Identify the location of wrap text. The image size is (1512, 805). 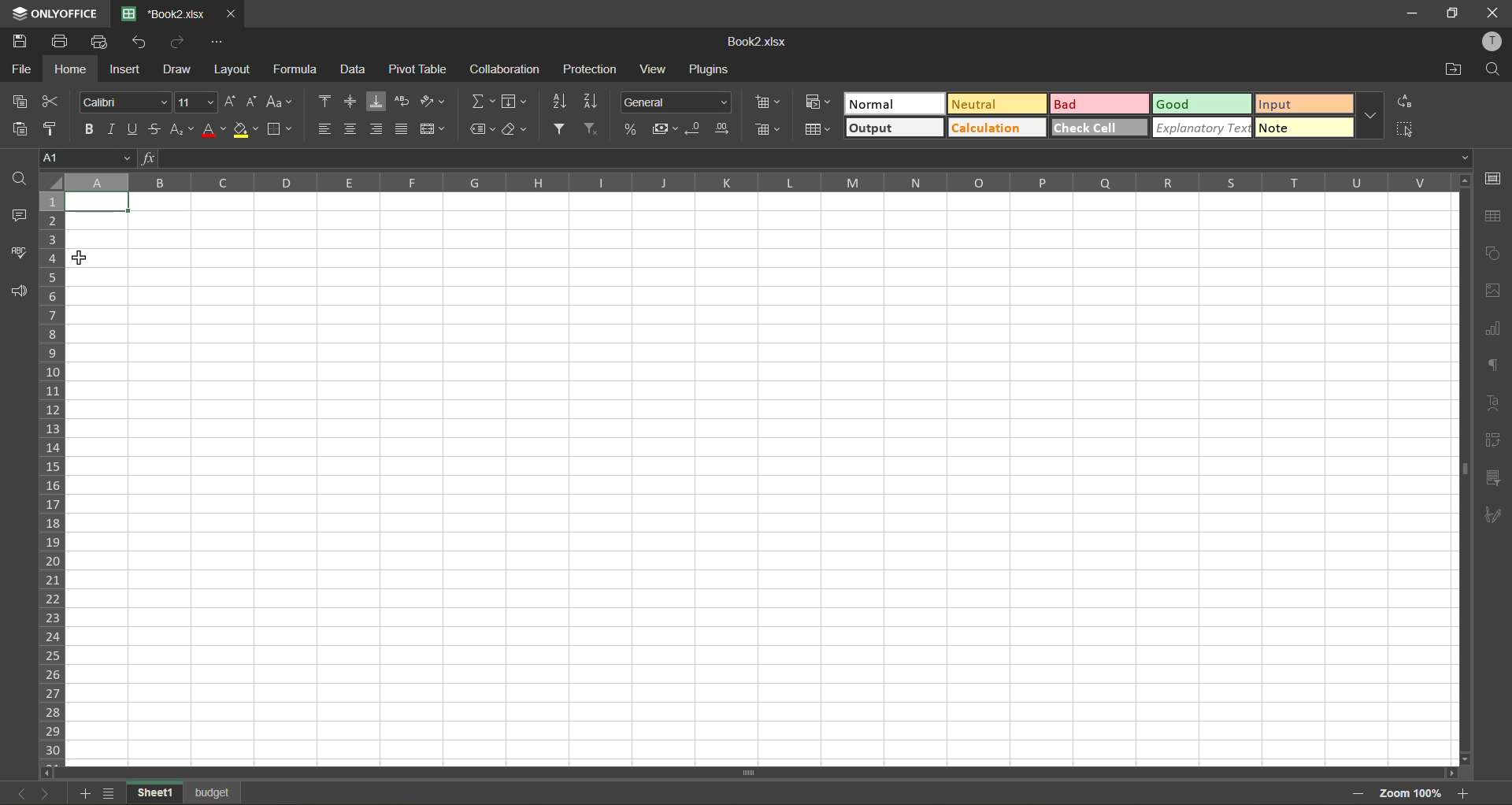
(405, 102).